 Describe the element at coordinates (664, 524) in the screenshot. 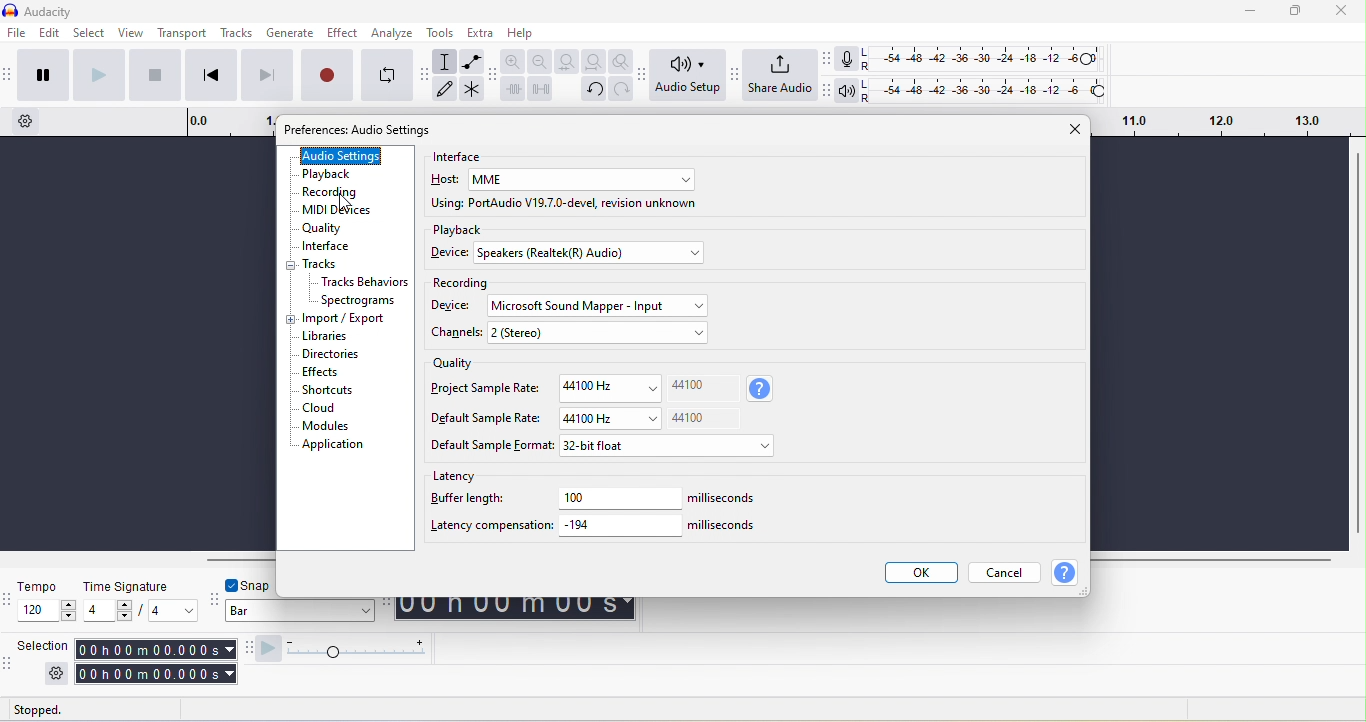

I see `-194 miliseconds` at that location.